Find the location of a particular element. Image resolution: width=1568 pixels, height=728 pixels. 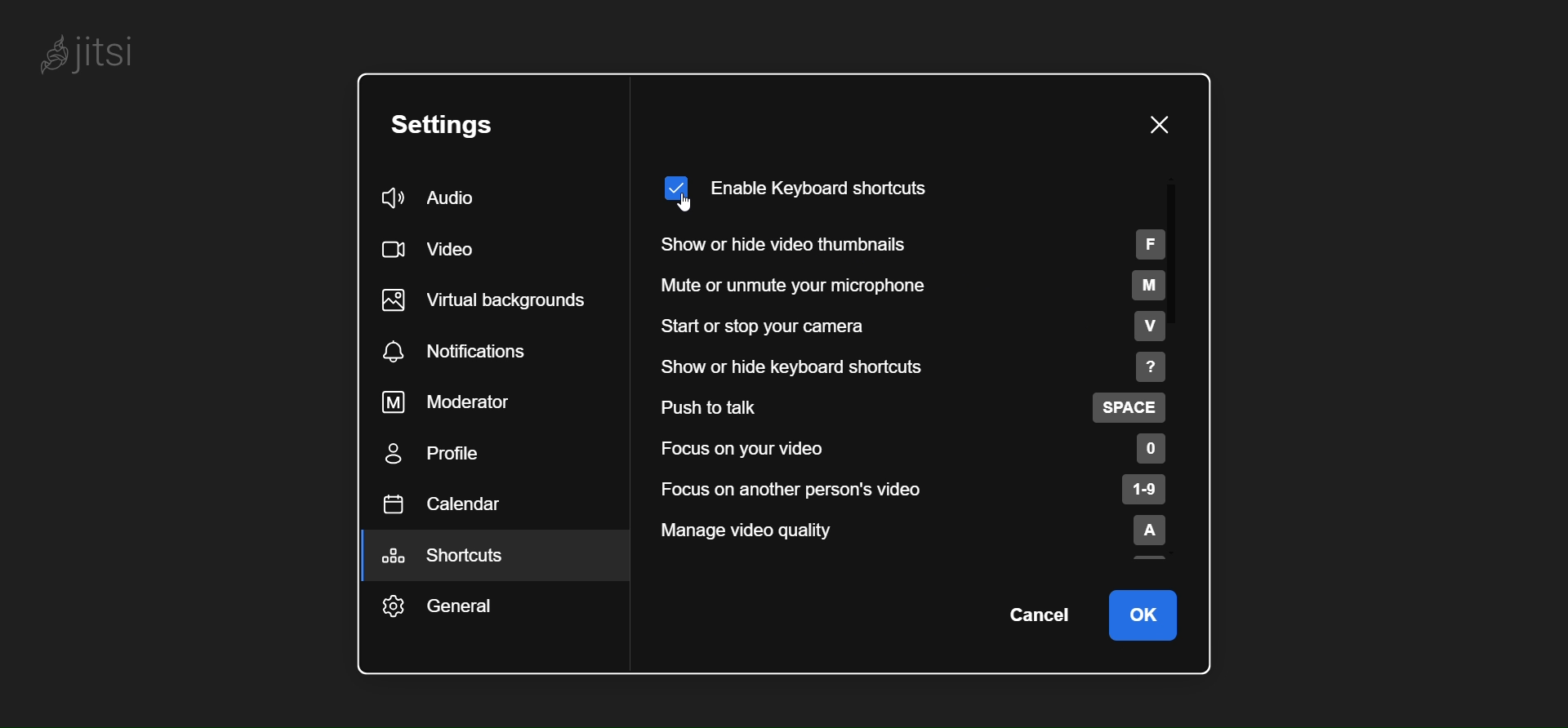

push to talk is located at coordinates (901, 409).